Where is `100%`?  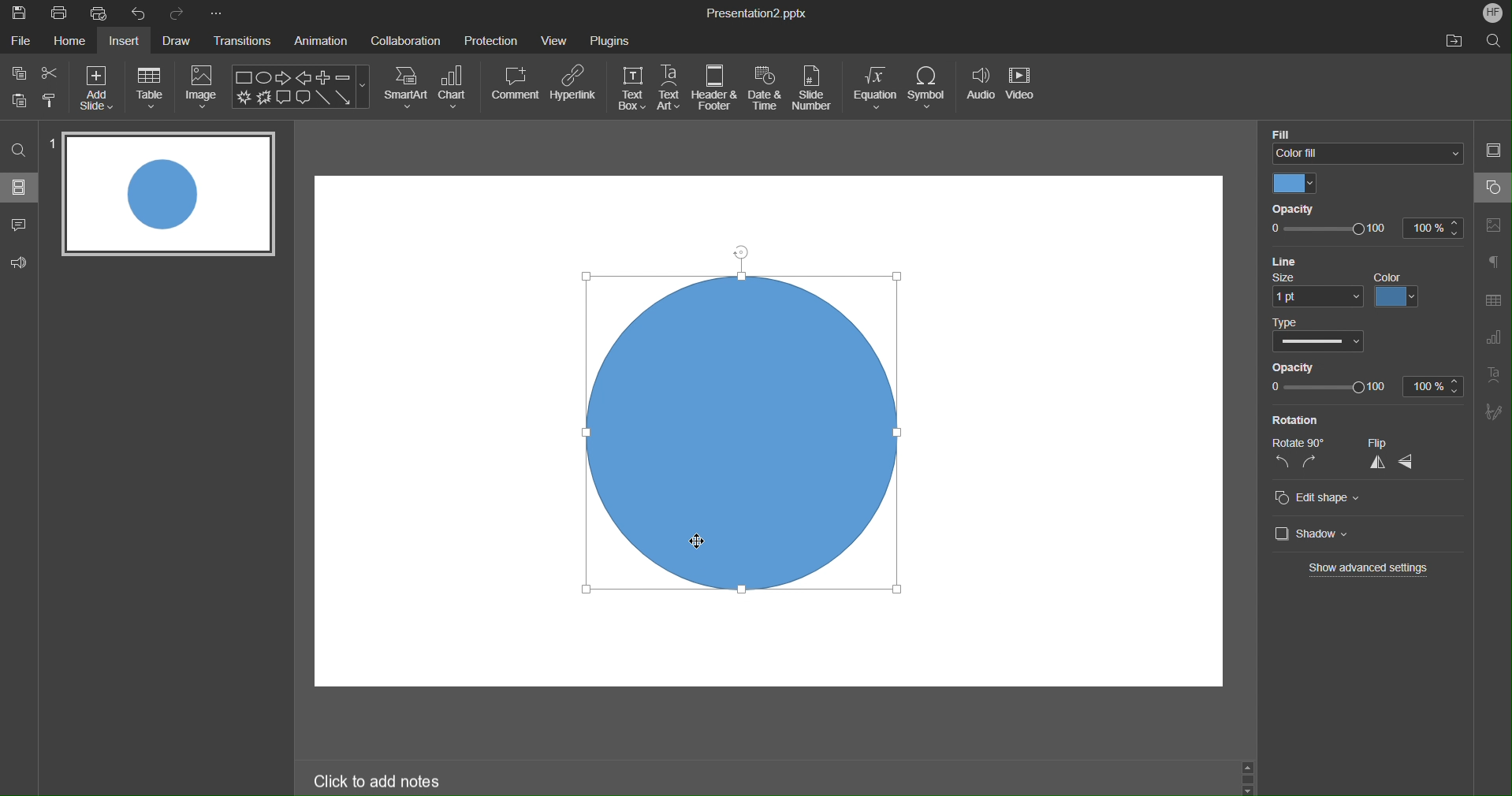
100% is located at coordinates (1434, 385).